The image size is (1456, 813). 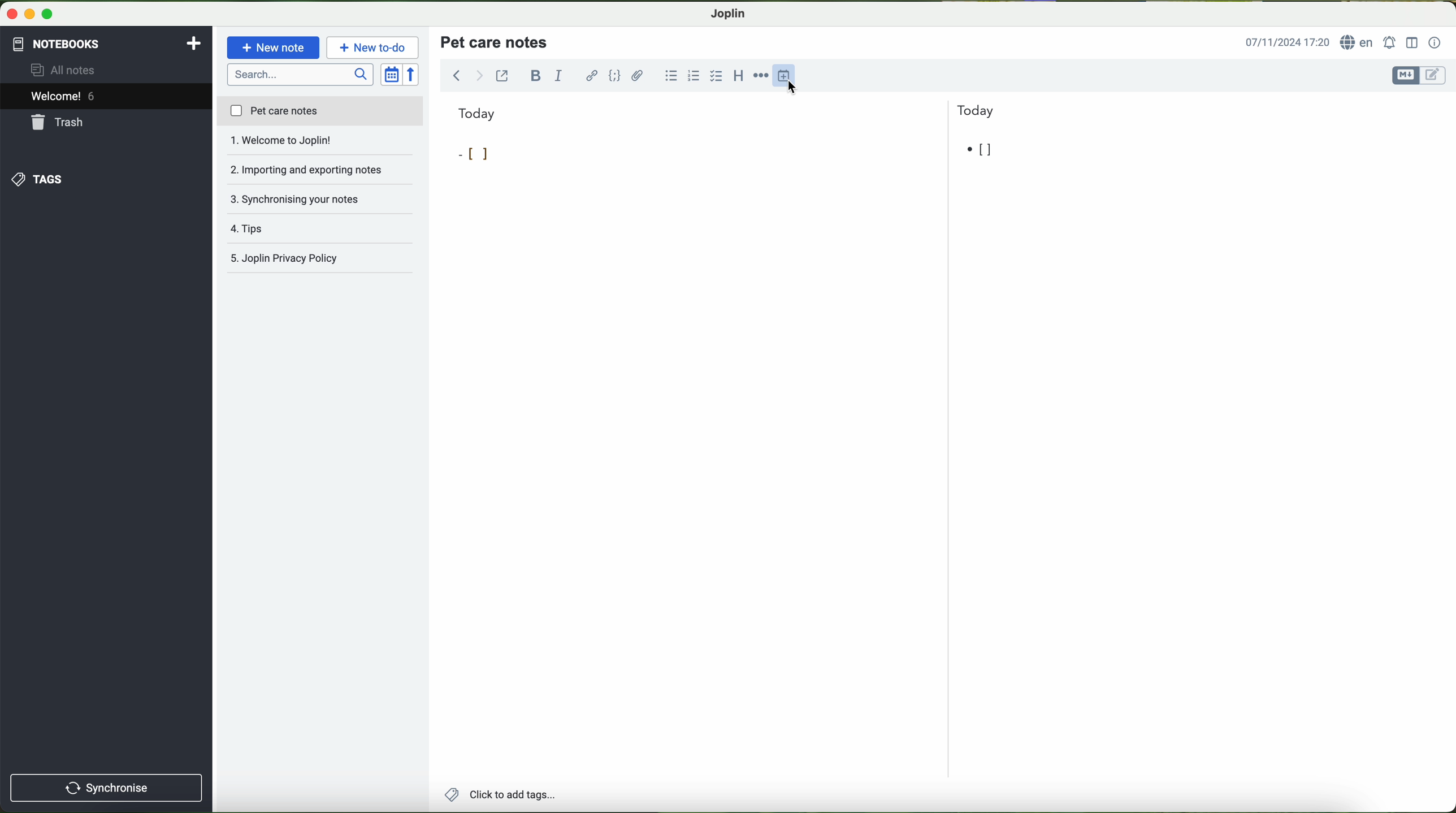 I want to click on Joplin privacy policy, so click(x=321, y=229).